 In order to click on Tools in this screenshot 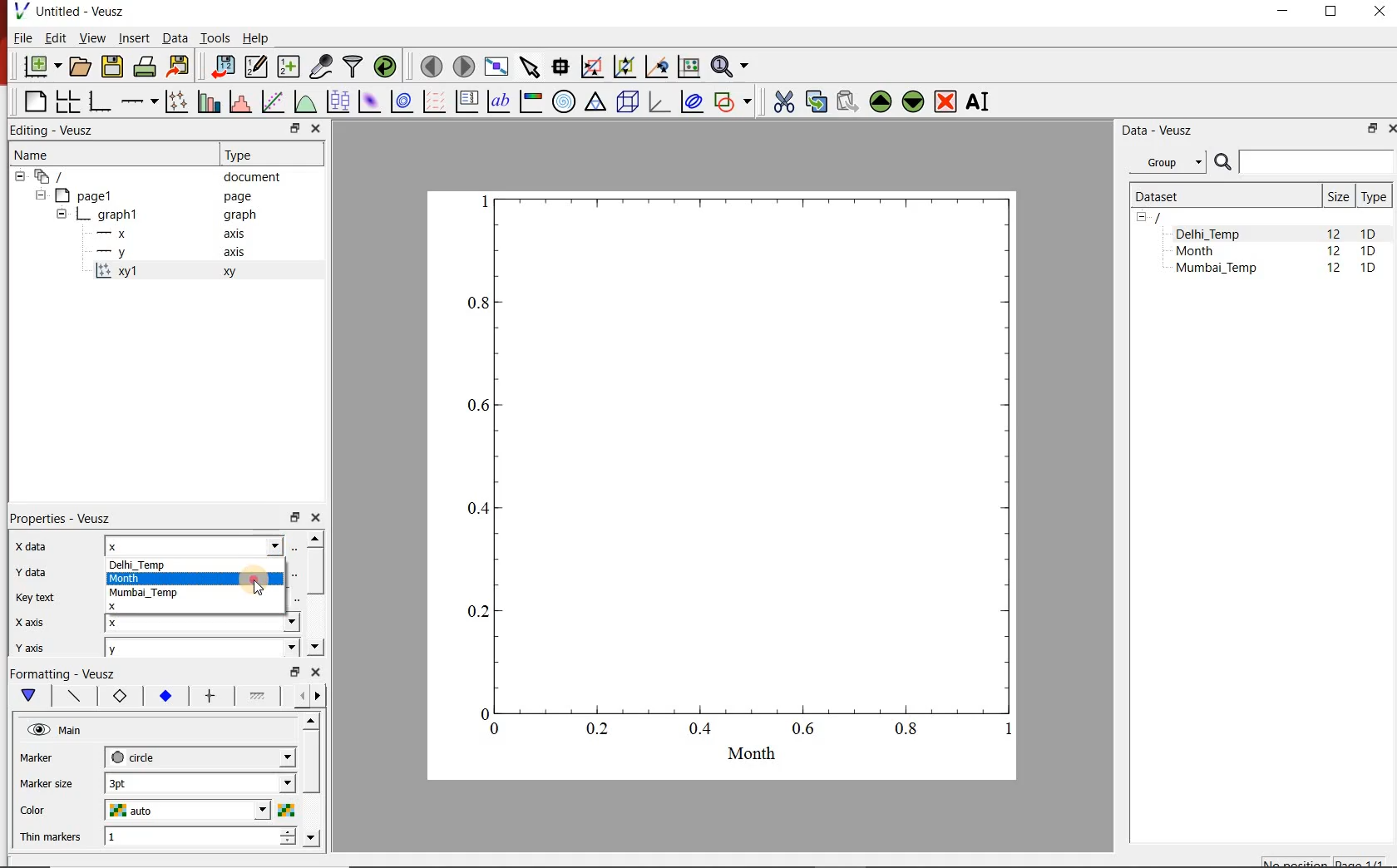, I will do `click(216, 38)`.